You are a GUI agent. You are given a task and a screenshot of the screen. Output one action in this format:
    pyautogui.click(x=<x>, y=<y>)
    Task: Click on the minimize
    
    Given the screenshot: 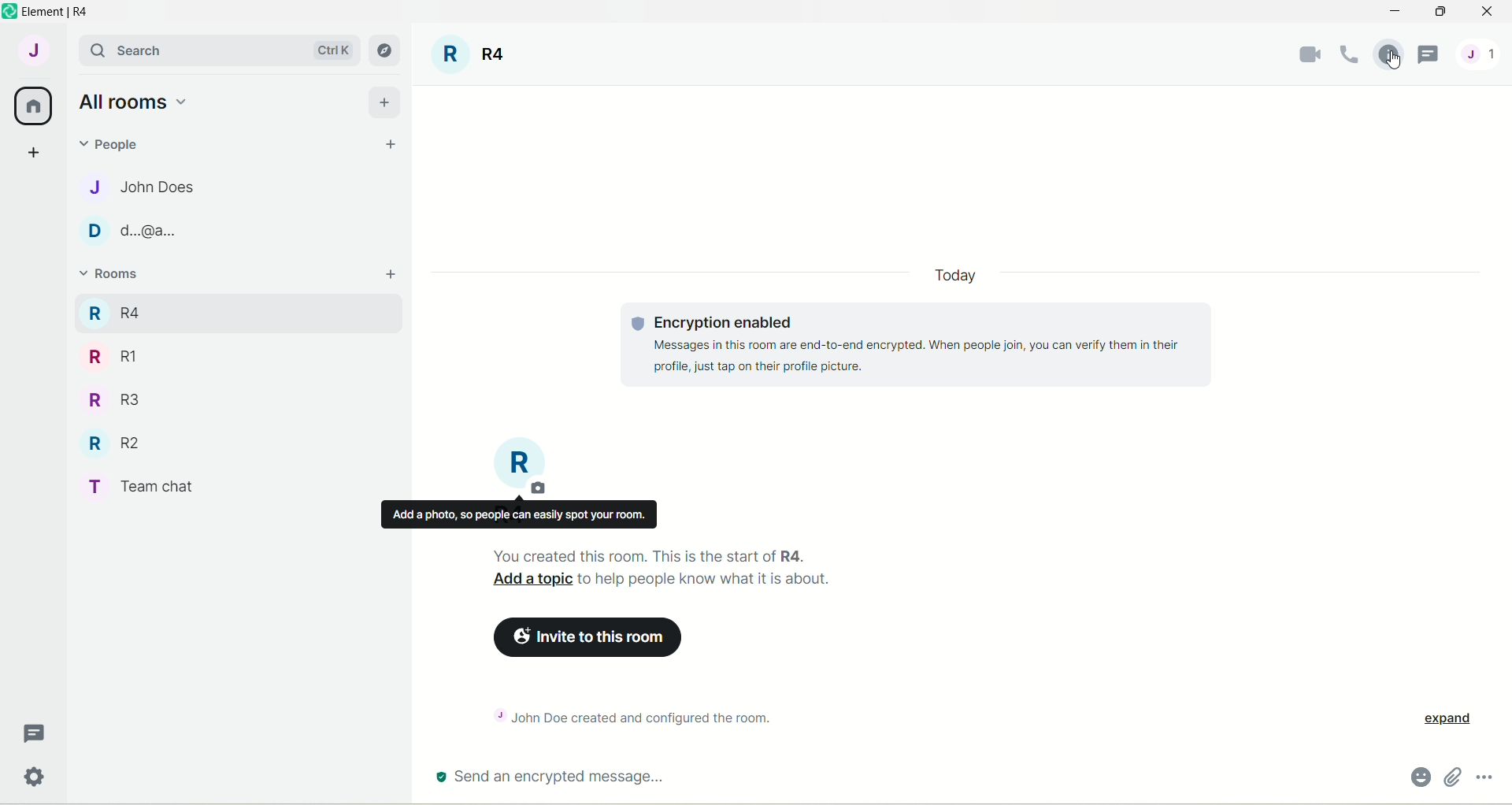 What is the action you would take?
    pyautogui.click(x=1392, y=13)
    